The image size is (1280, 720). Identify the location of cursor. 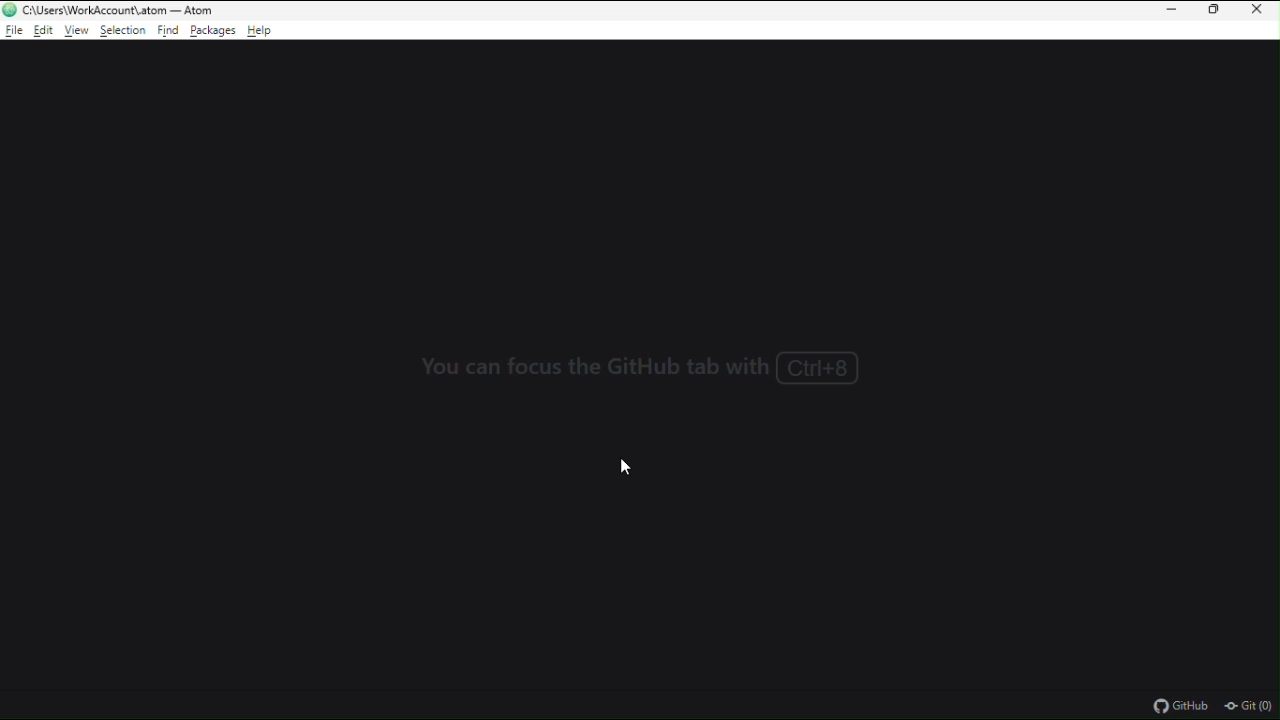
(625, 466).